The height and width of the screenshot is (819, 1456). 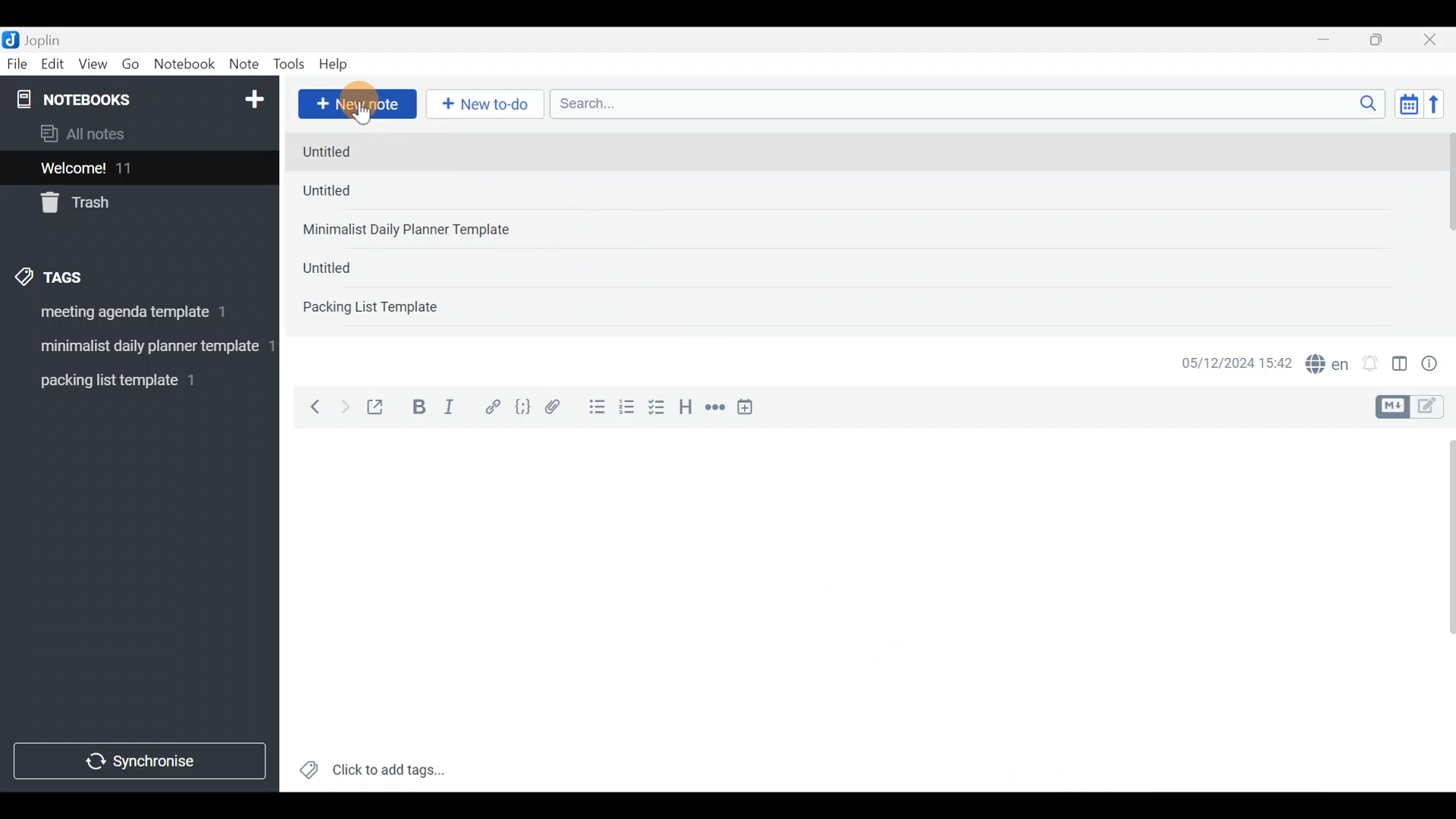 I want to click on Scroll bar, so click(x=1447, y=229).